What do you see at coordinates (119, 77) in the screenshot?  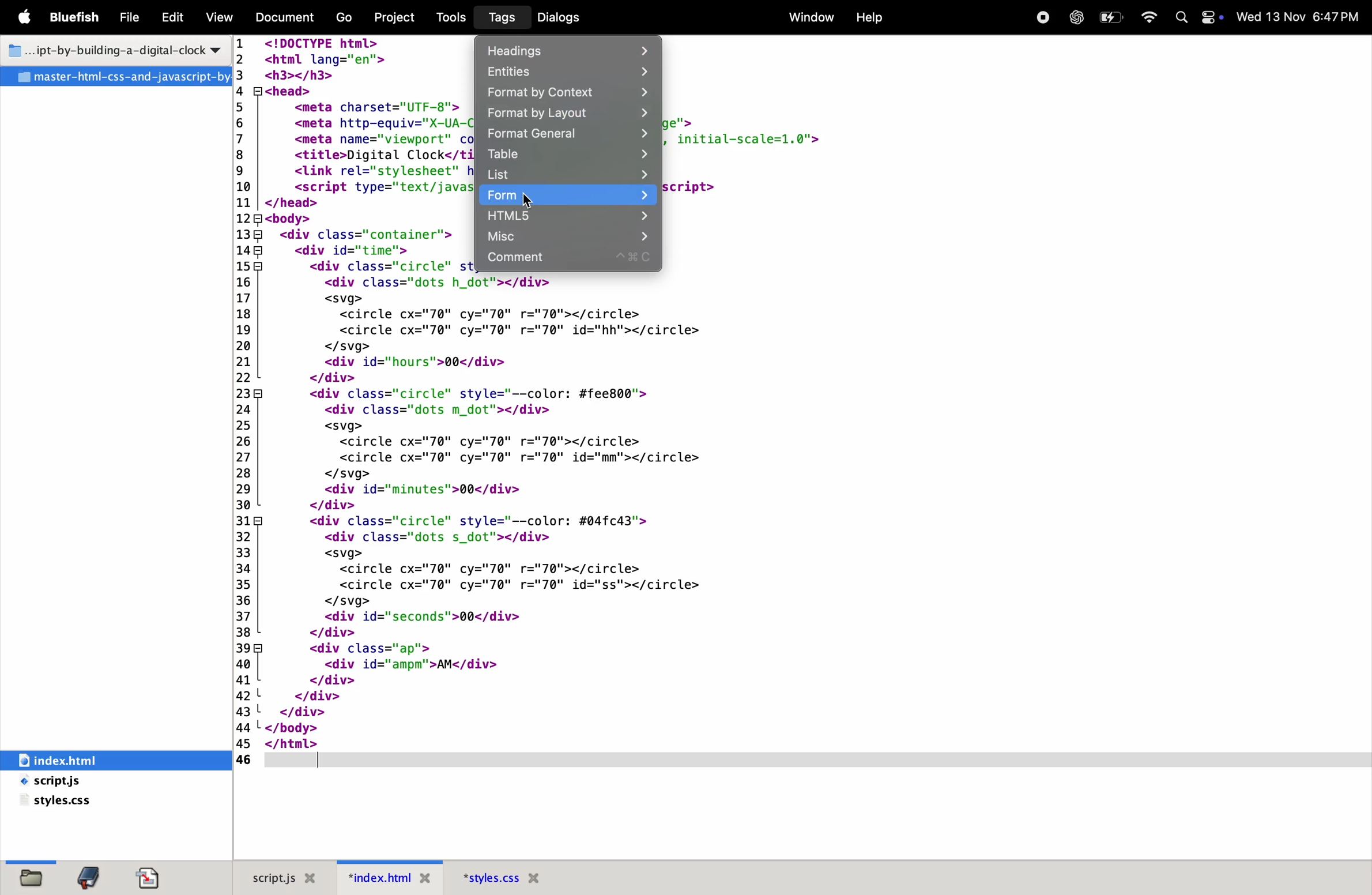 I see `File` at bounding box center [119, 77].